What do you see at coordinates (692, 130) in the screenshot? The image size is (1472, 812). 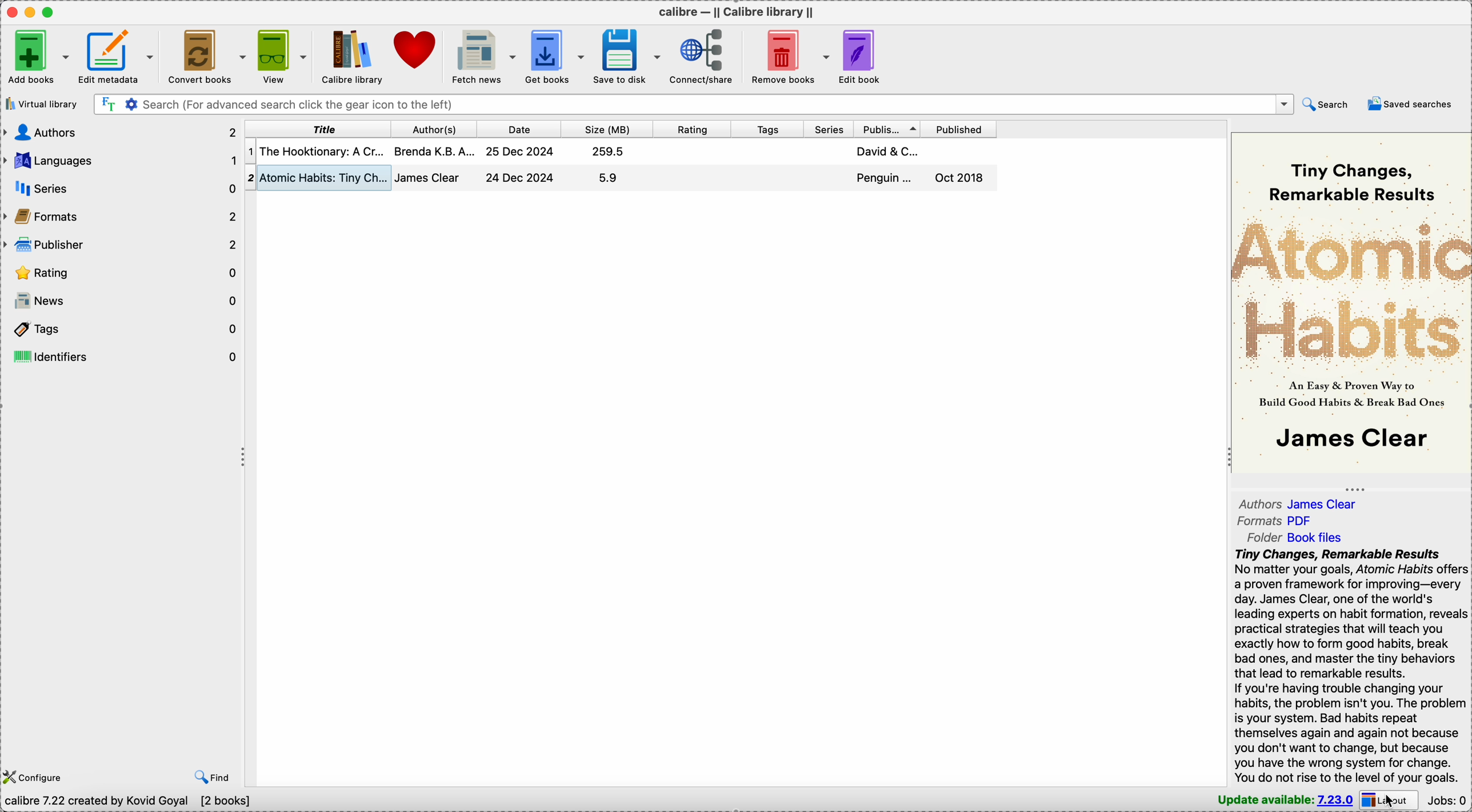 I see `rating` at bounding box center [692, 130].